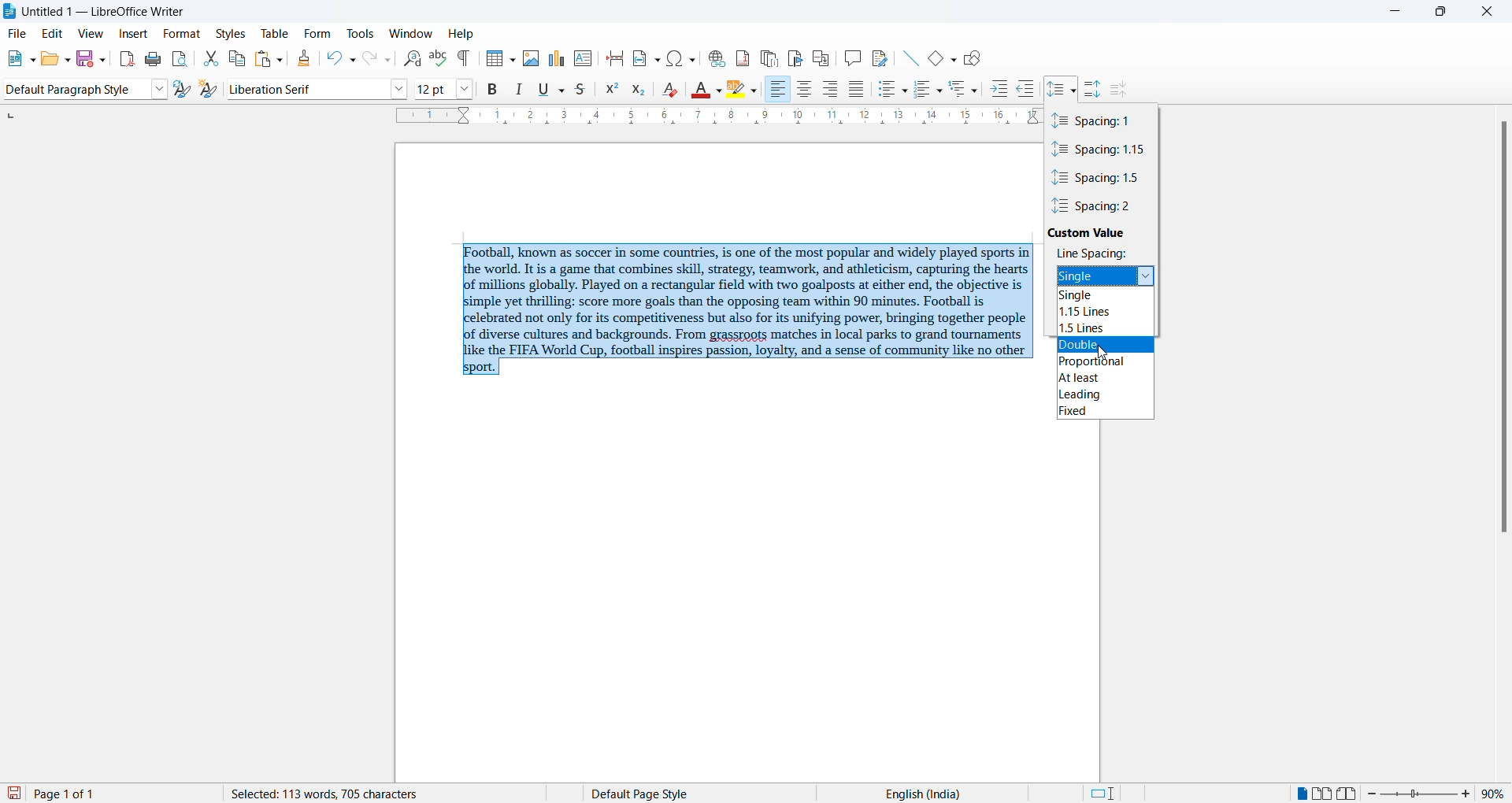 The image size is (1512, 803). Describe the element at coordinates (1107, 344) in the screenshot. I see `double` at that location.